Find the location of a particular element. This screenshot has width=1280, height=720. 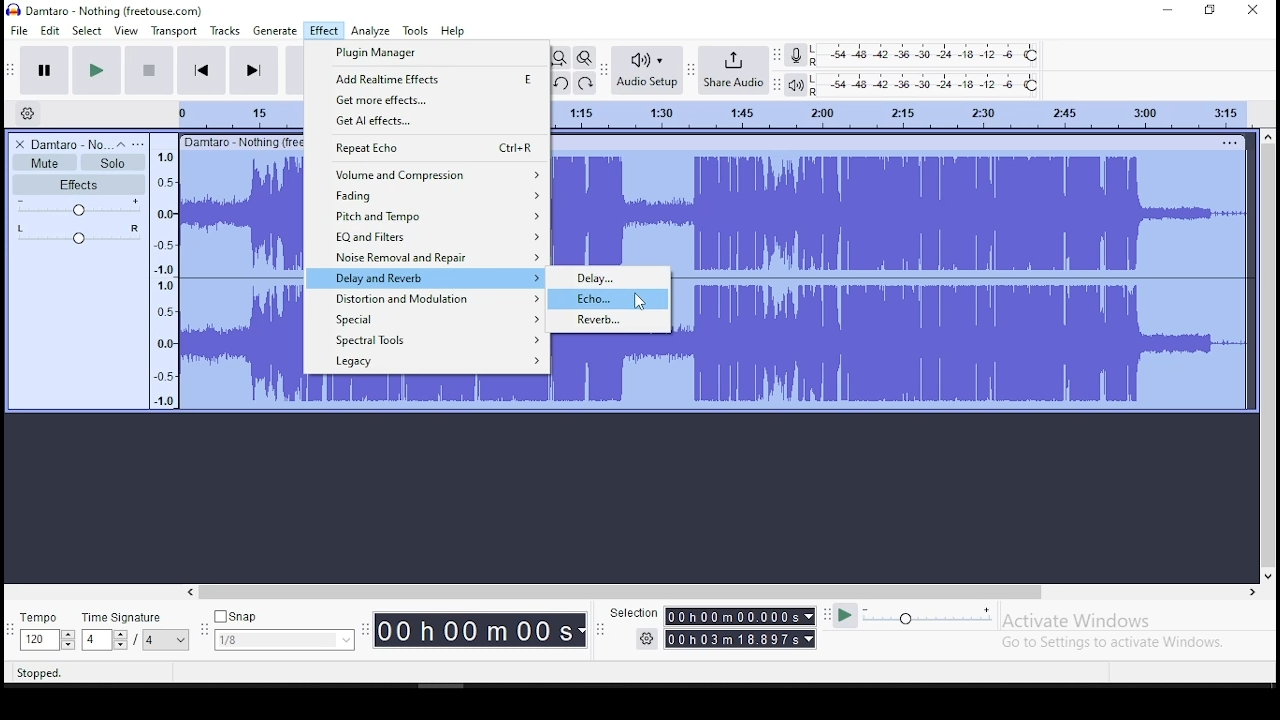

stop is located at coordinates (149, 69).